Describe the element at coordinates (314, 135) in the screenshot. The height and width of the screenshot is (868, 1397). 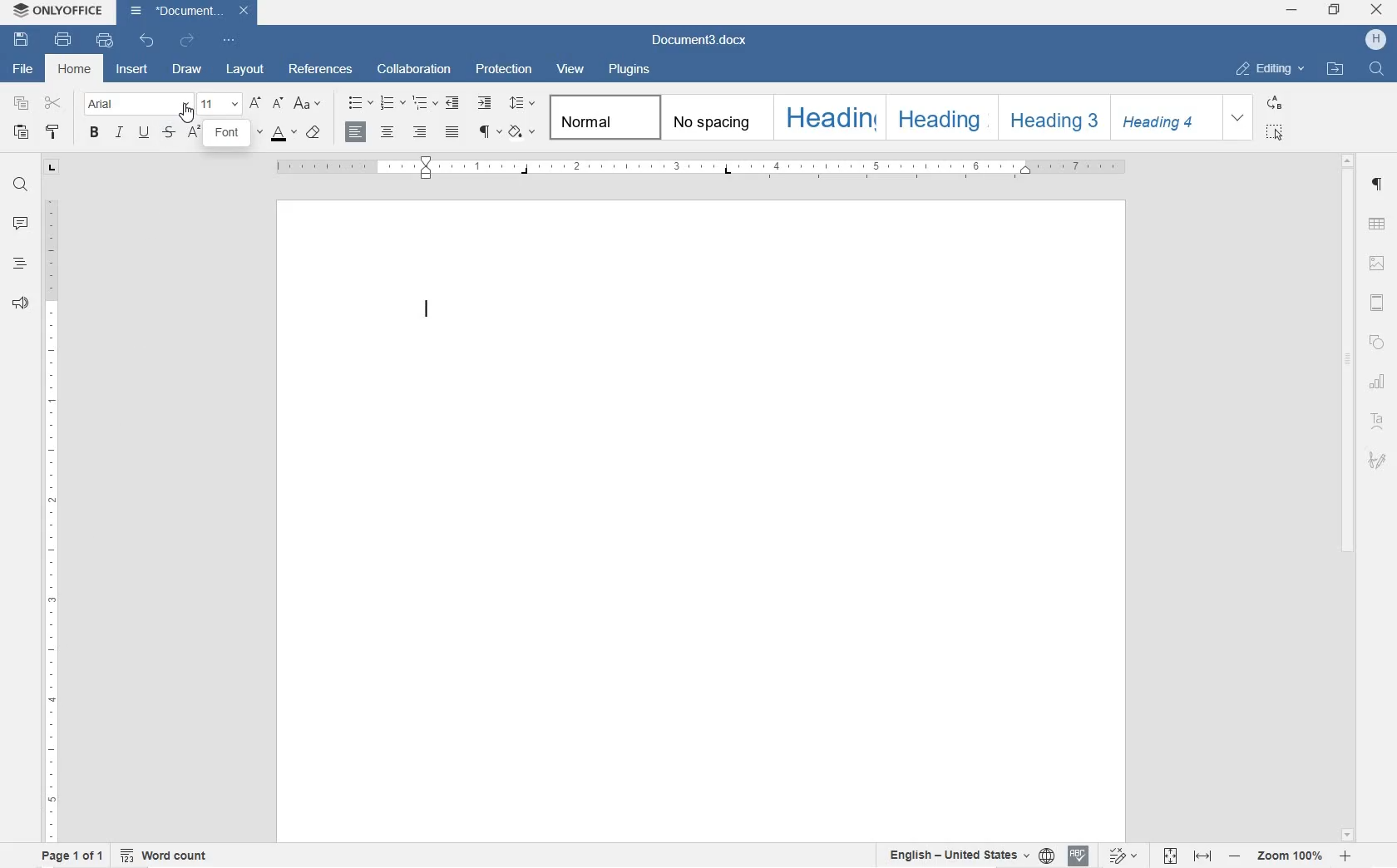
I see `CLEAR STYLE` at that location.